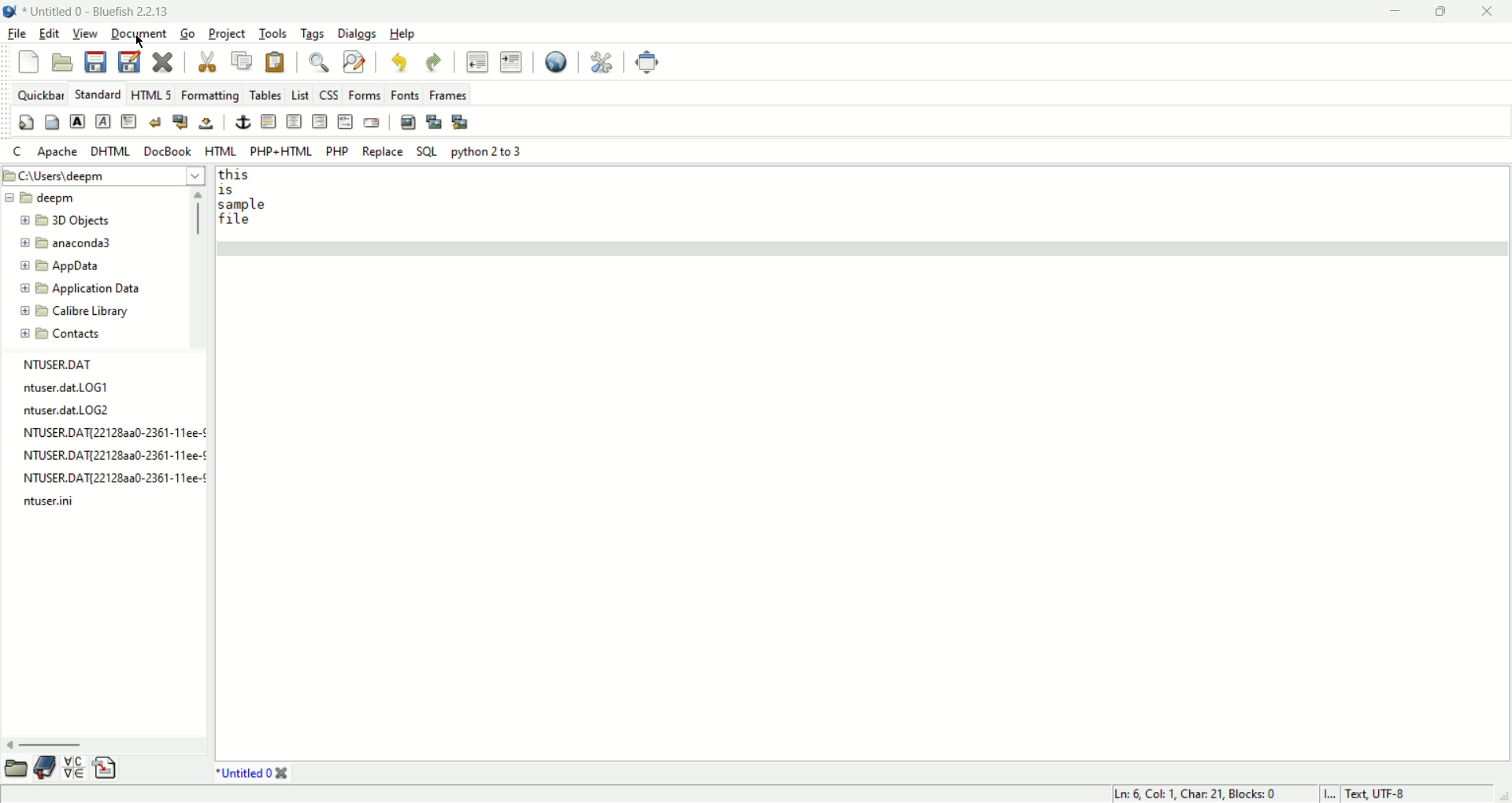 The height and width of the screenshot is (803, 1512). Describe the element at coordinates (1385, 793) in the screenshot. I see `text, UTF-8` at that location.